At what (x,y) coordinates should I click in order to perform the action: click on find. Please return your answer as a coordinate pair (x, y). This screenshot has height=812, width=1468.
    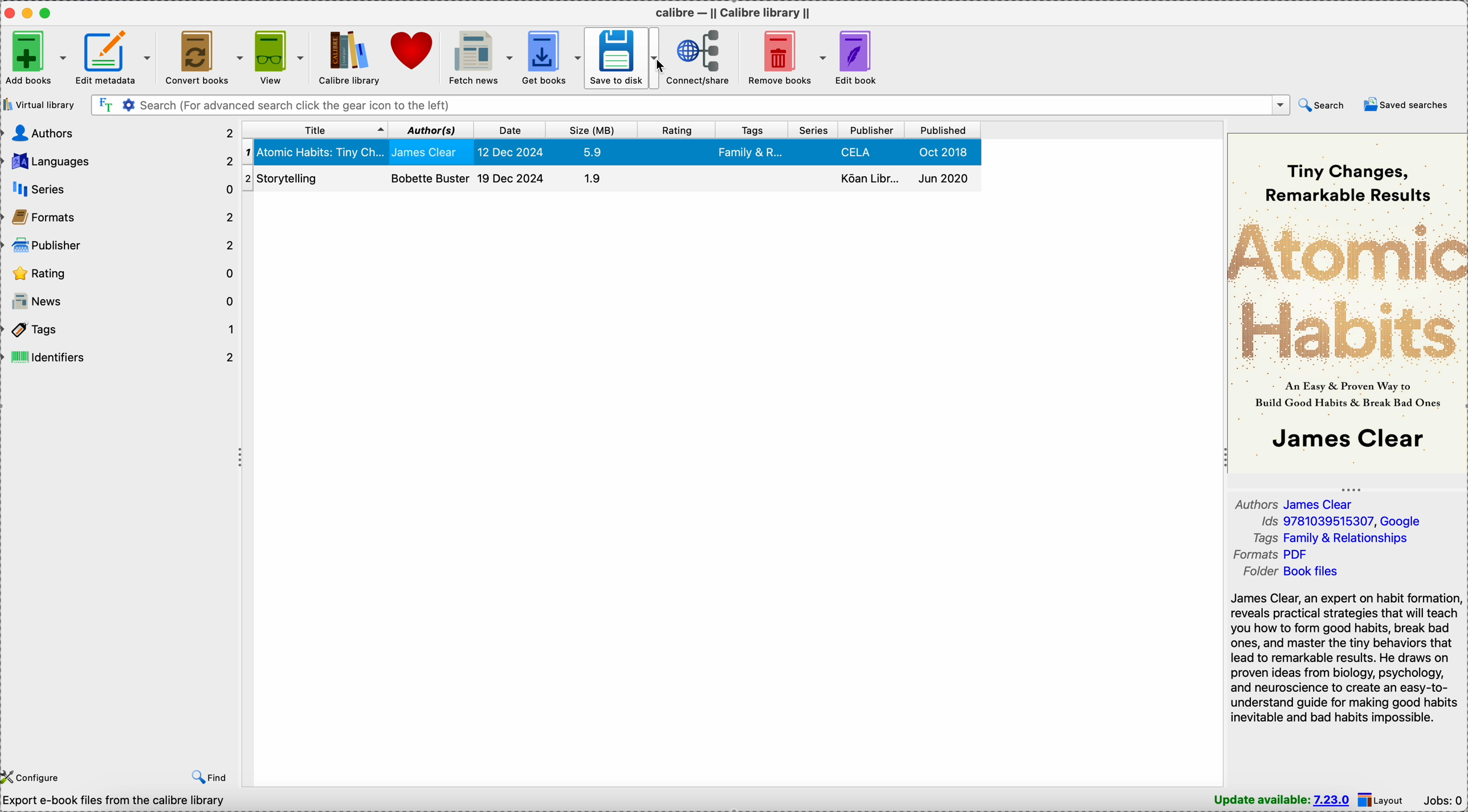
    Looking at the image, I should click on (212, 777).